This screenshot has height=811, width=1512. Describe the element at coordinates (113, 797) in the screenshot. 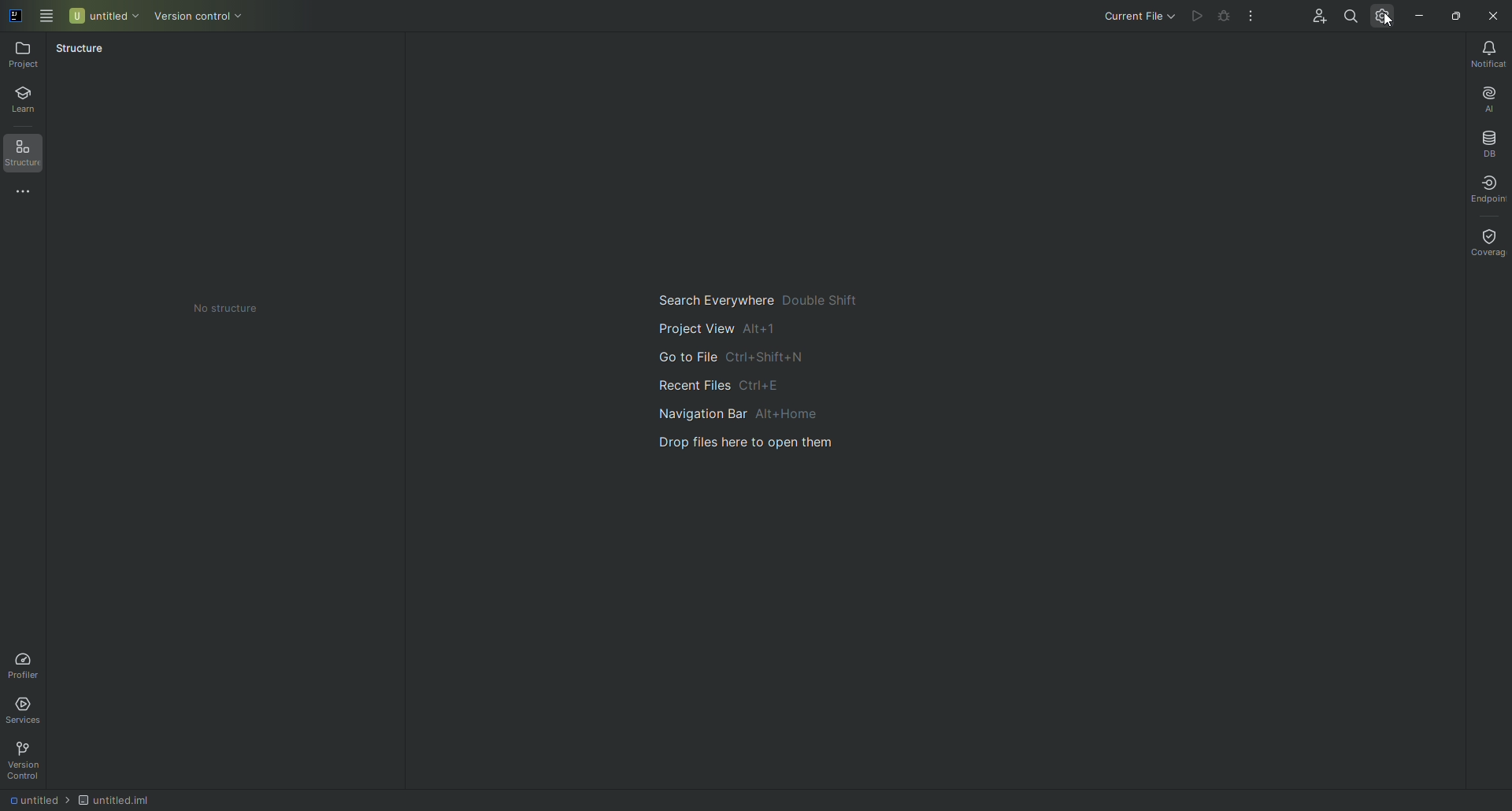

I see `Untitled.iml` at that location.